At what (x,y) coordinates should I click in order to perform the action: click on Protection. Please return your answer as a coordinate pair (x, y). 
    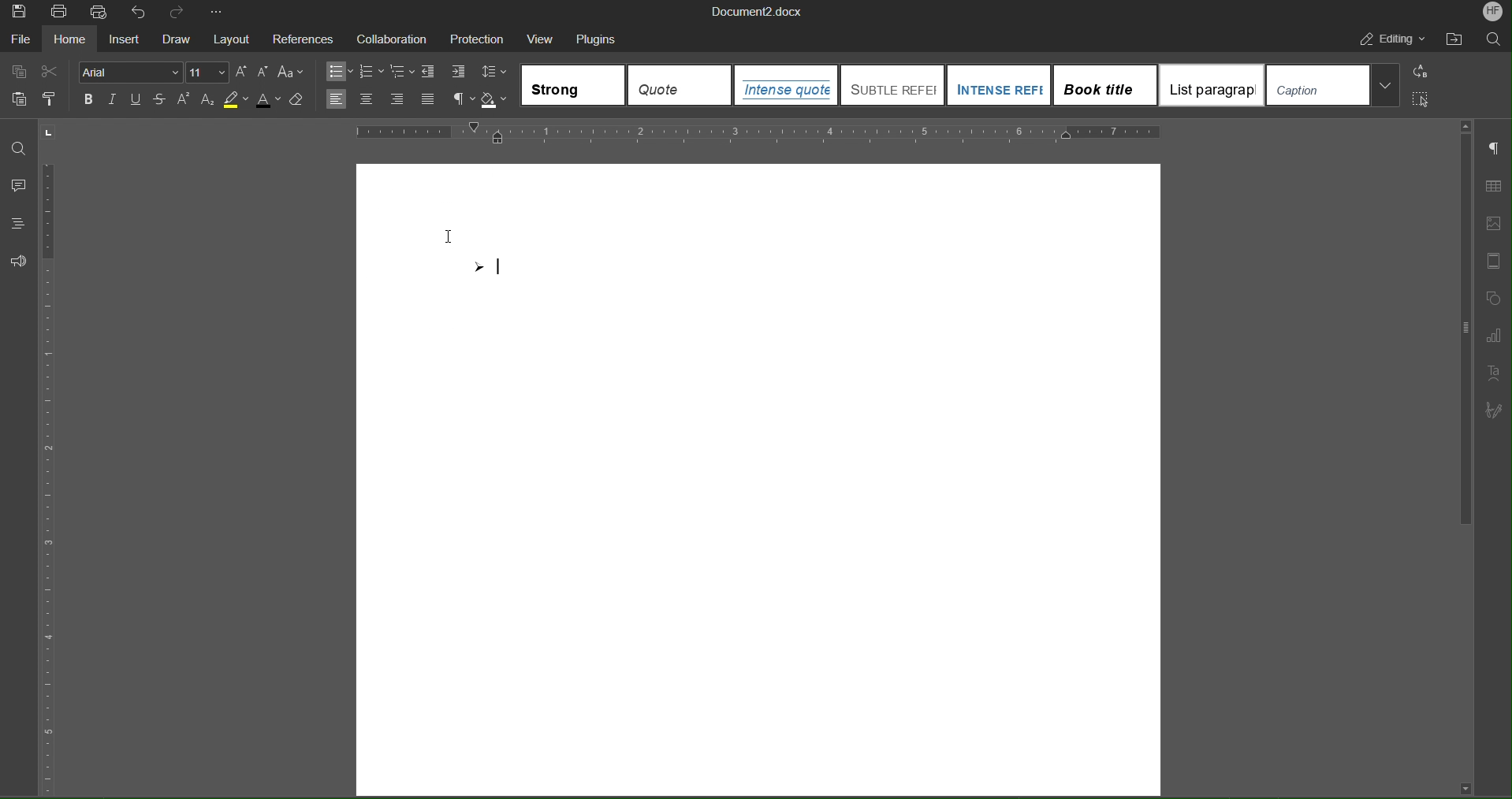
    Looking at the image, I should click on (479, 39).